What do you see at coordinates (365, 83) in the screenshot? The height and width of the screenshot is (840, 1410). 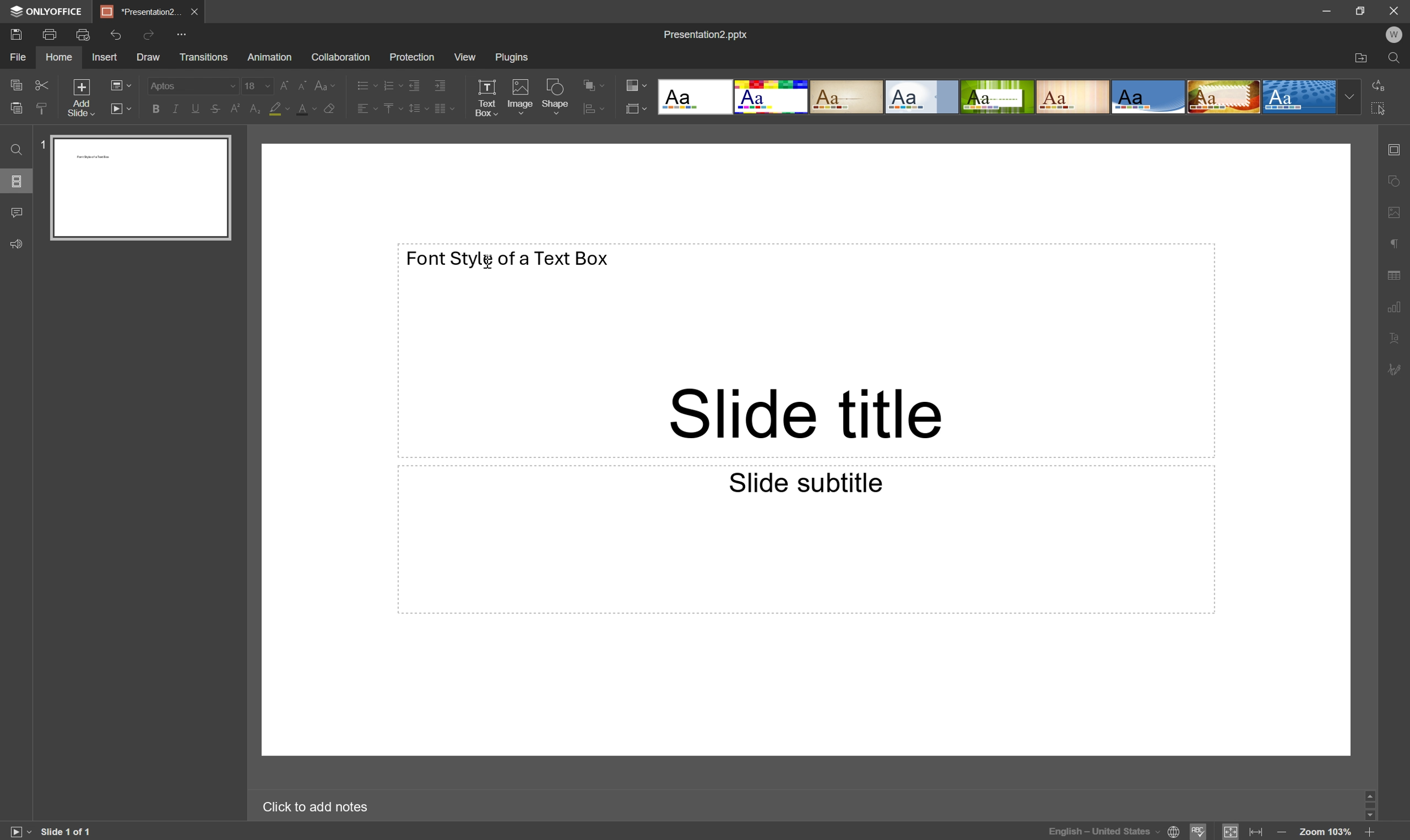 I see `Bullets` at bounding box center [365, 83].